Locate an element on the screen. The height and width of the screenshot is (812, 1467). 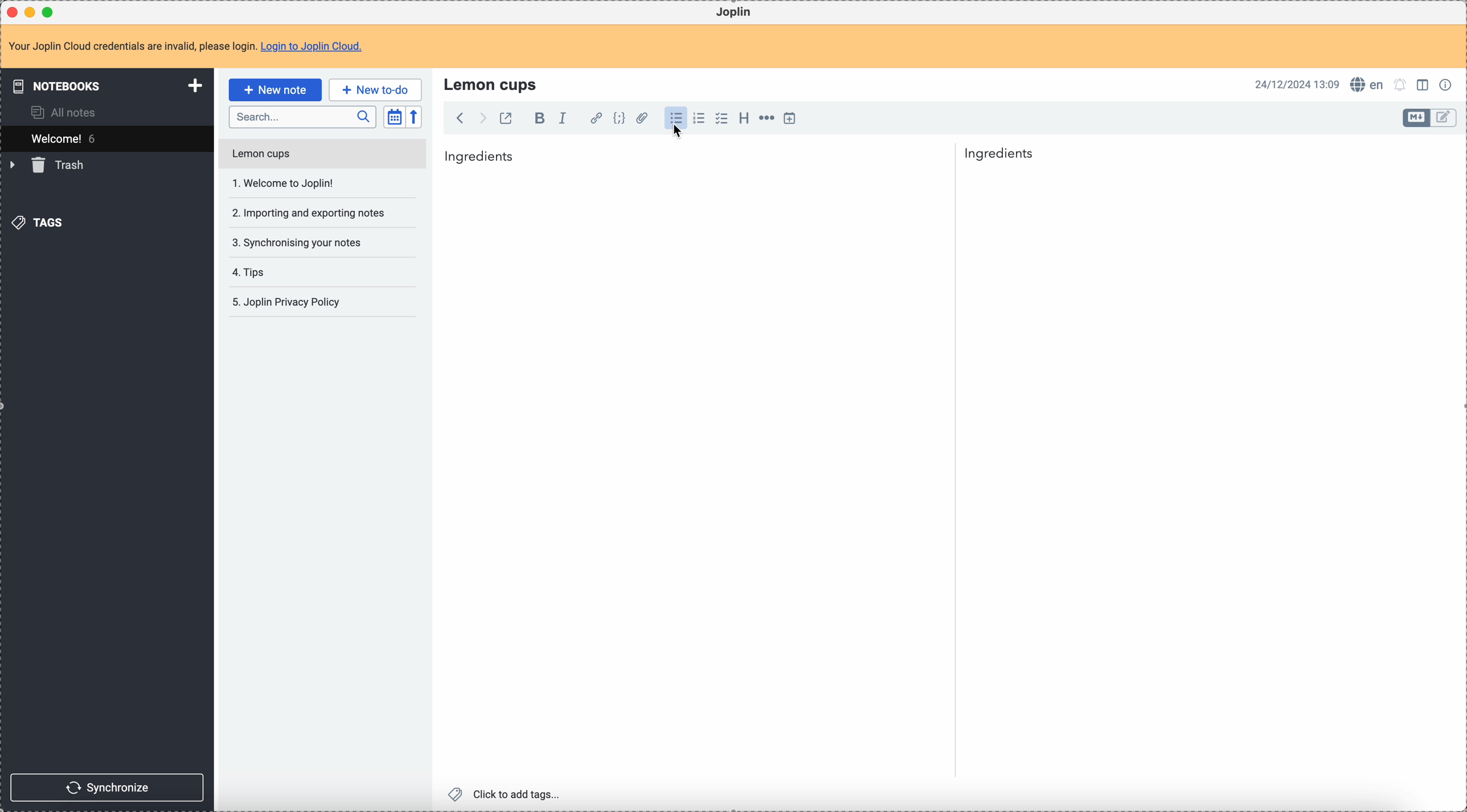
search bar is located at coordinates (302, 117).